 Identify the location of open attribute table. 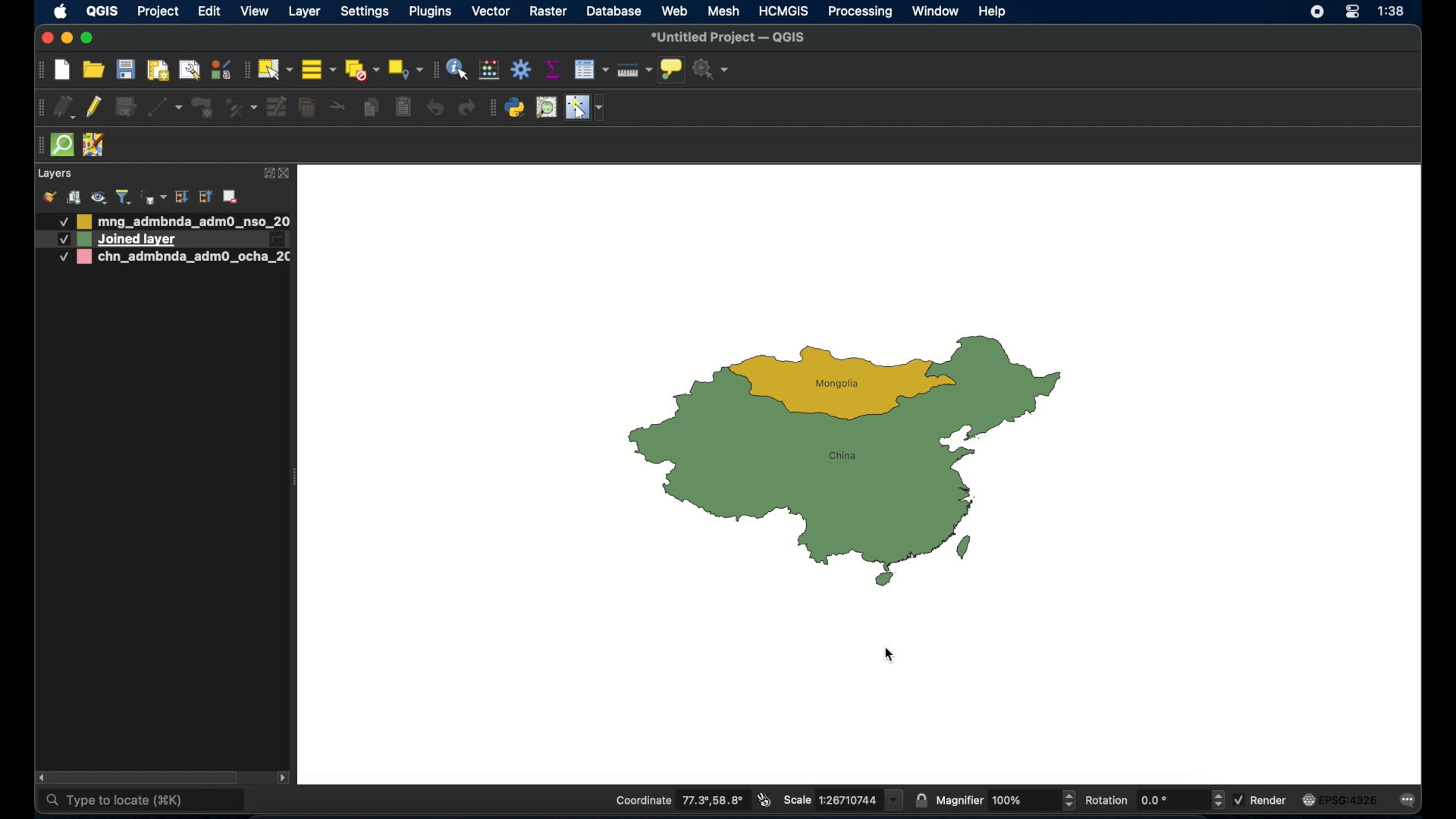
(591, 69).